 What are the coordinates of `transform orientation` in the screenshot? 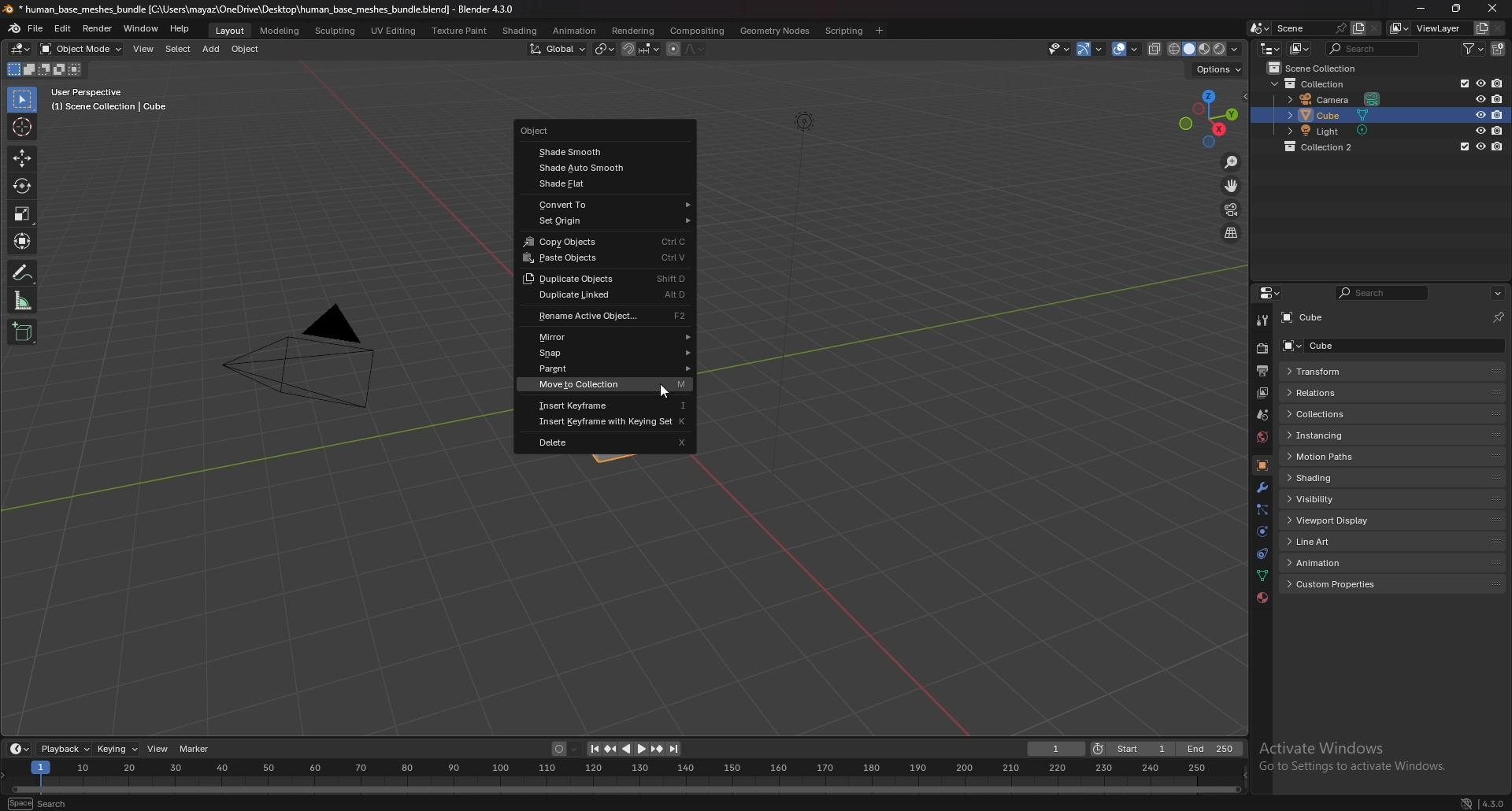 It's located at (558, 49).